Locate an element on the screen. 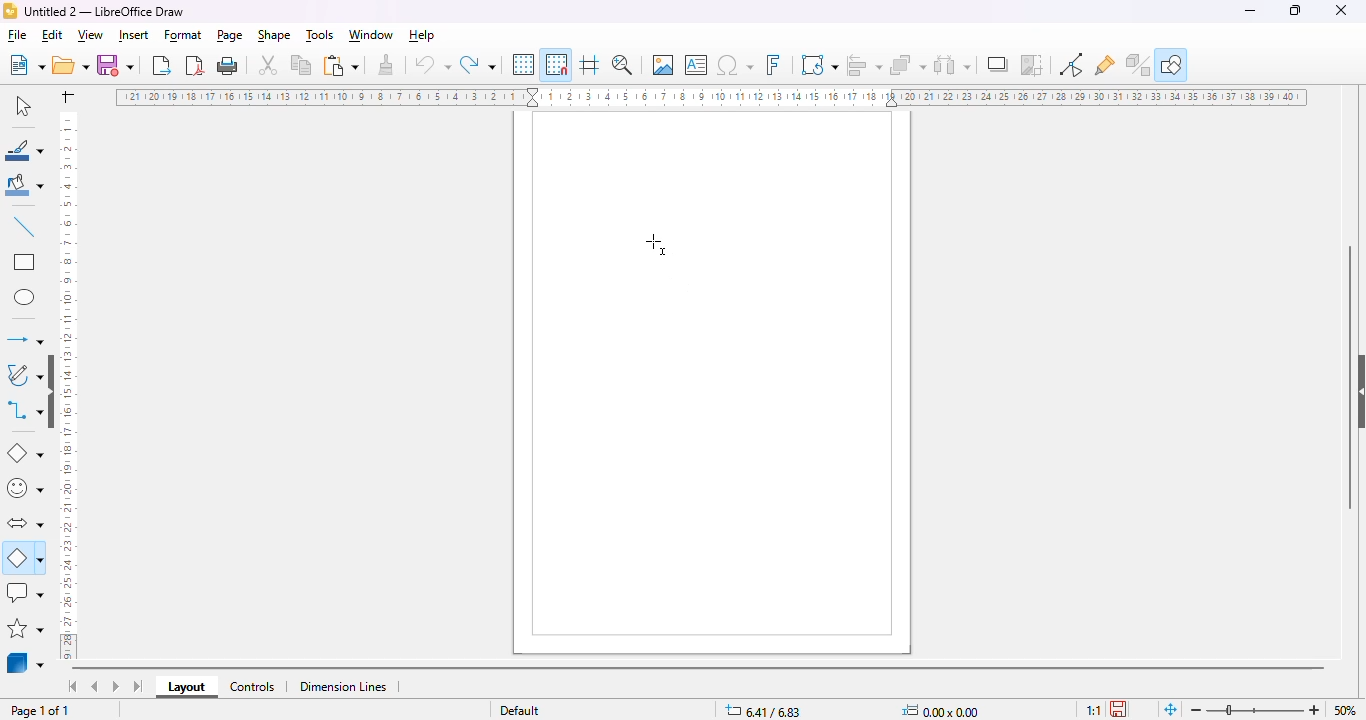  export directly as PDF is located at coordinates (196, 66).